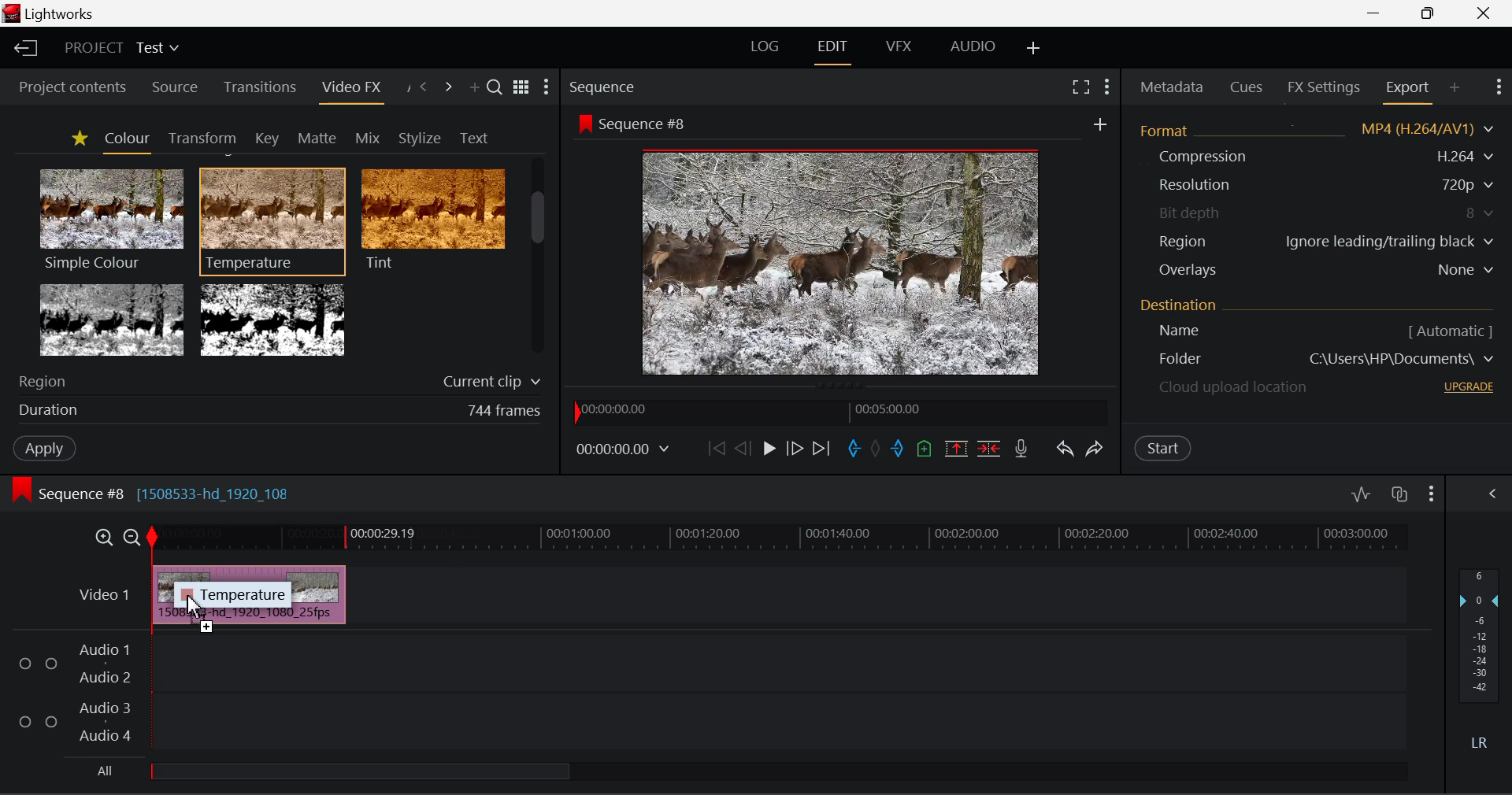 The image size is (1512, 795). I want to click on To End, so click(825, 449).